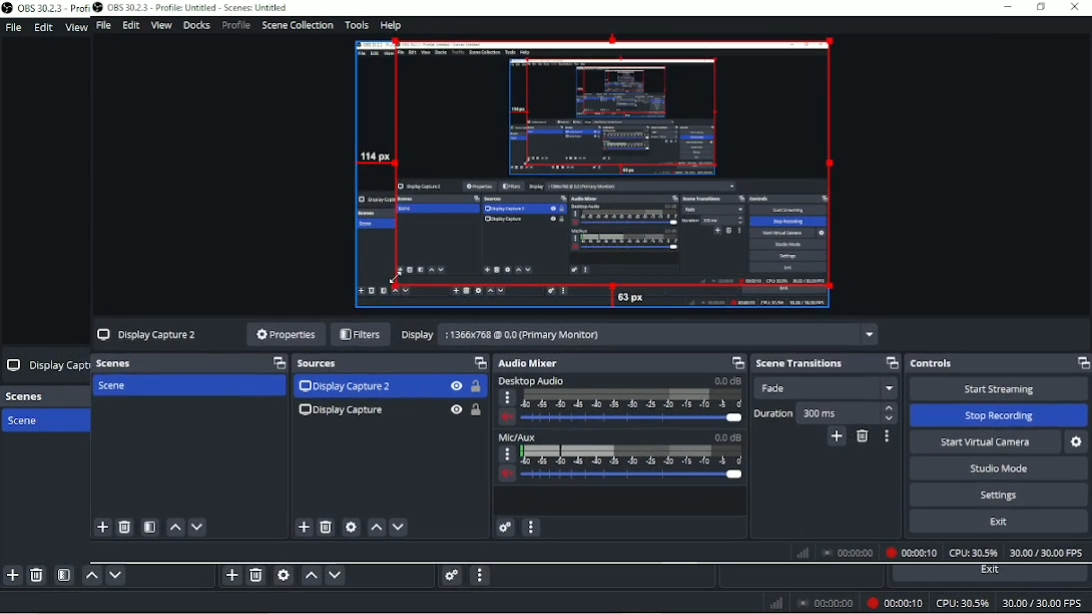  Describe the element at coordinates (829, 386) in the screenshot. I see `Fade` at that location.